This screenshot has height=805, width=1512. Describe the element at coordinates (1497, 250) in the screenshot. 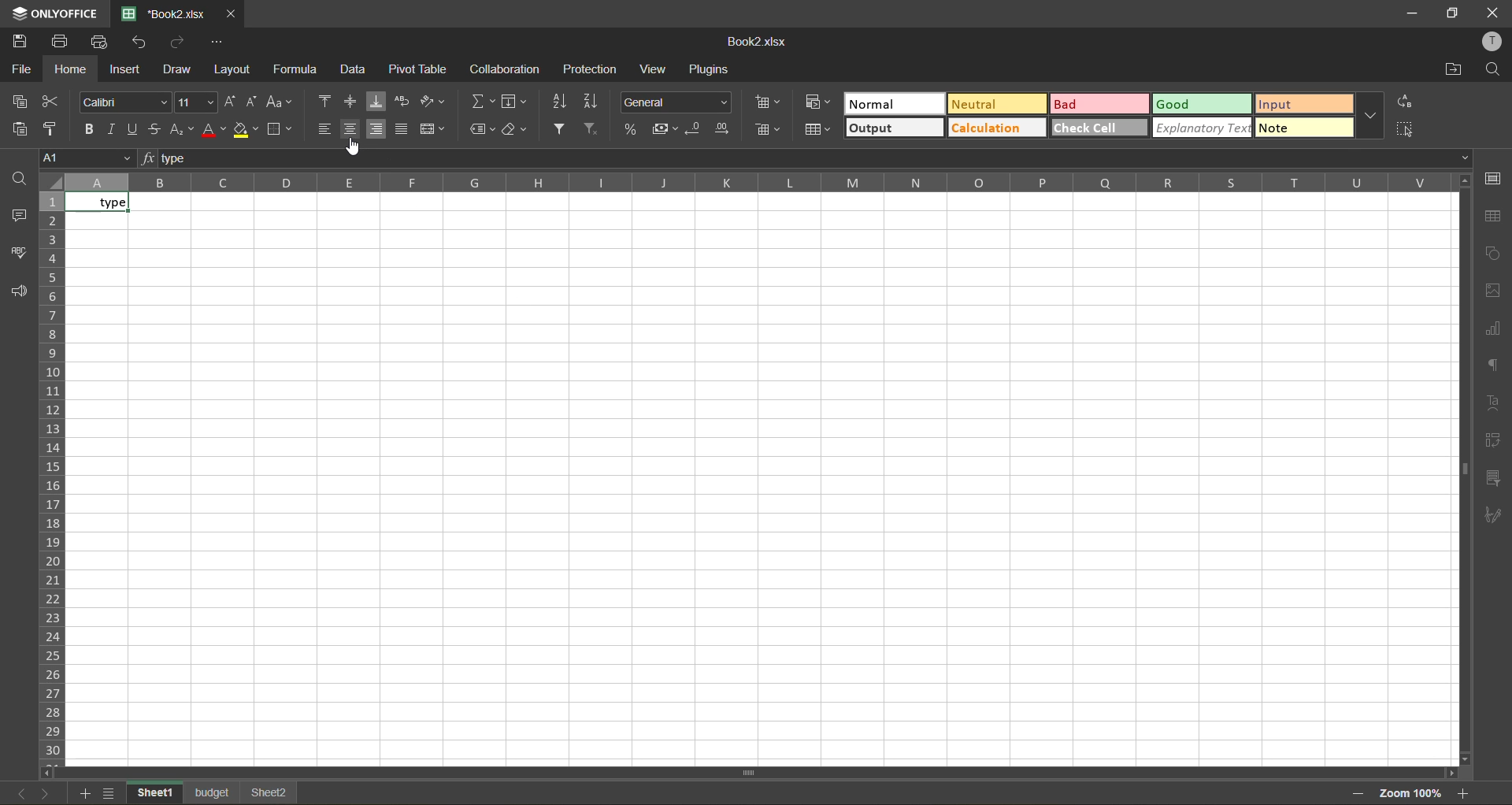

I see `shapes` at that location.